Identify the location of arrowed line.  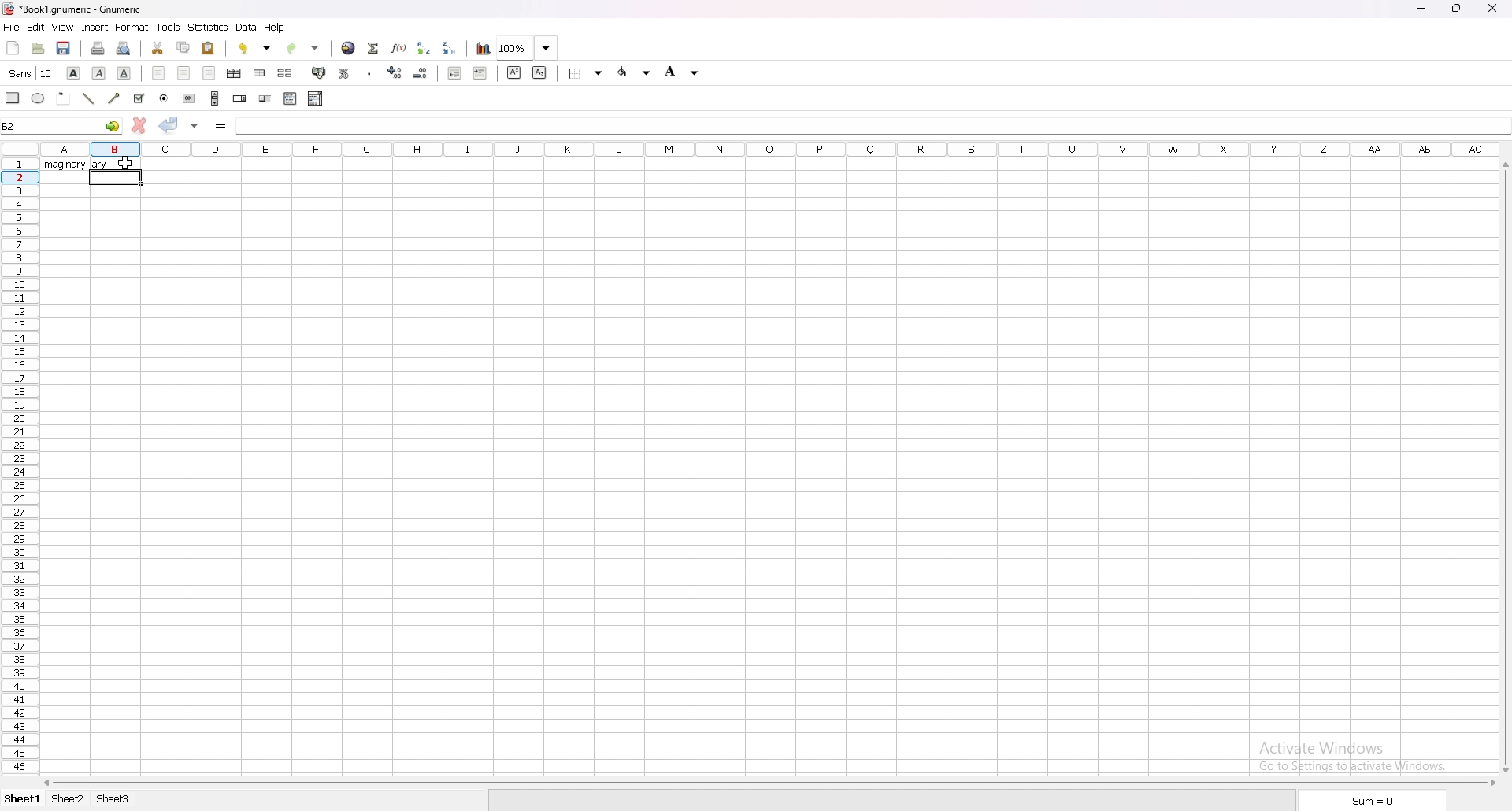
(114, 98).